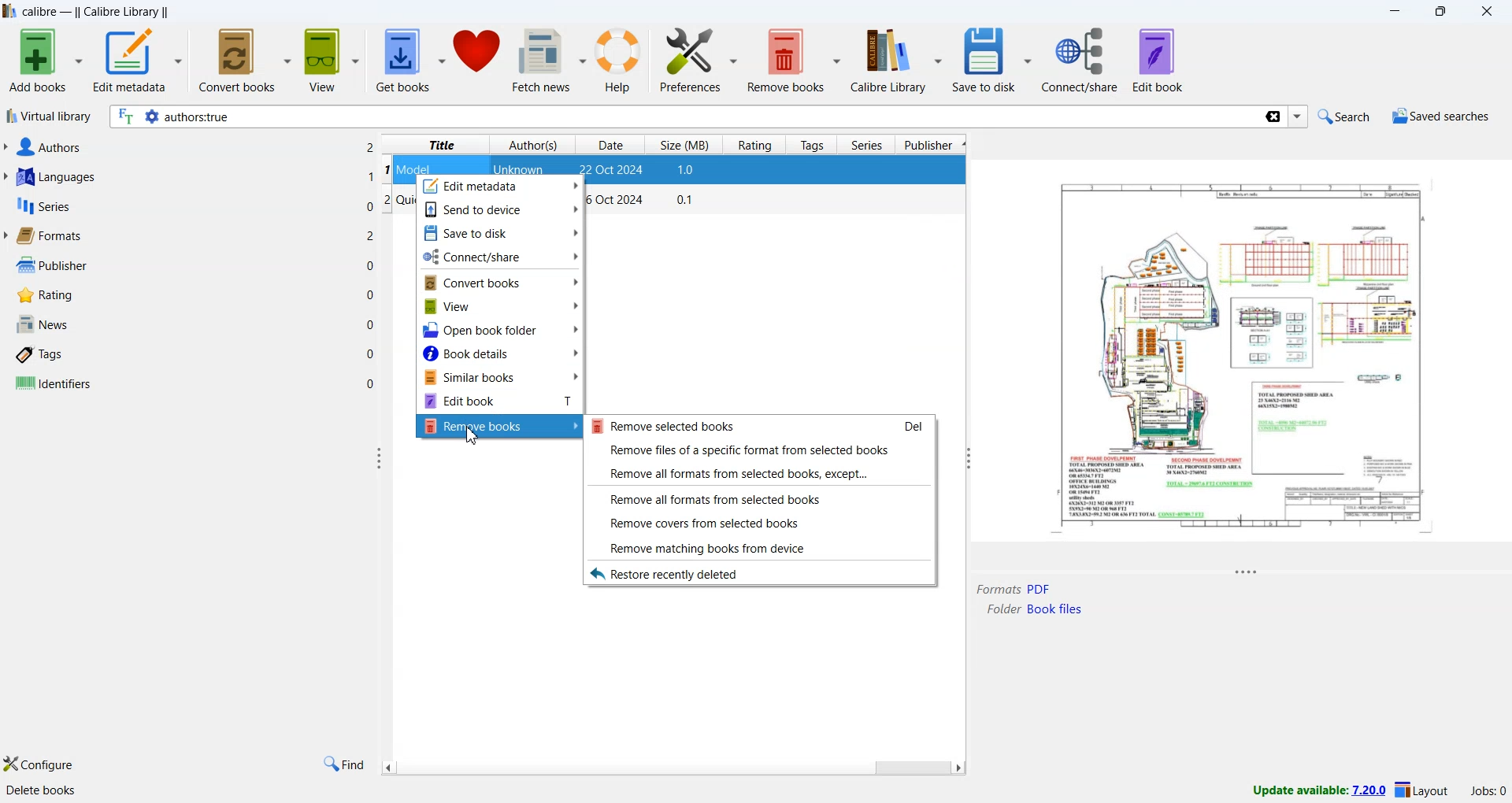  I want to click on connect/share, so click(1083, 60).